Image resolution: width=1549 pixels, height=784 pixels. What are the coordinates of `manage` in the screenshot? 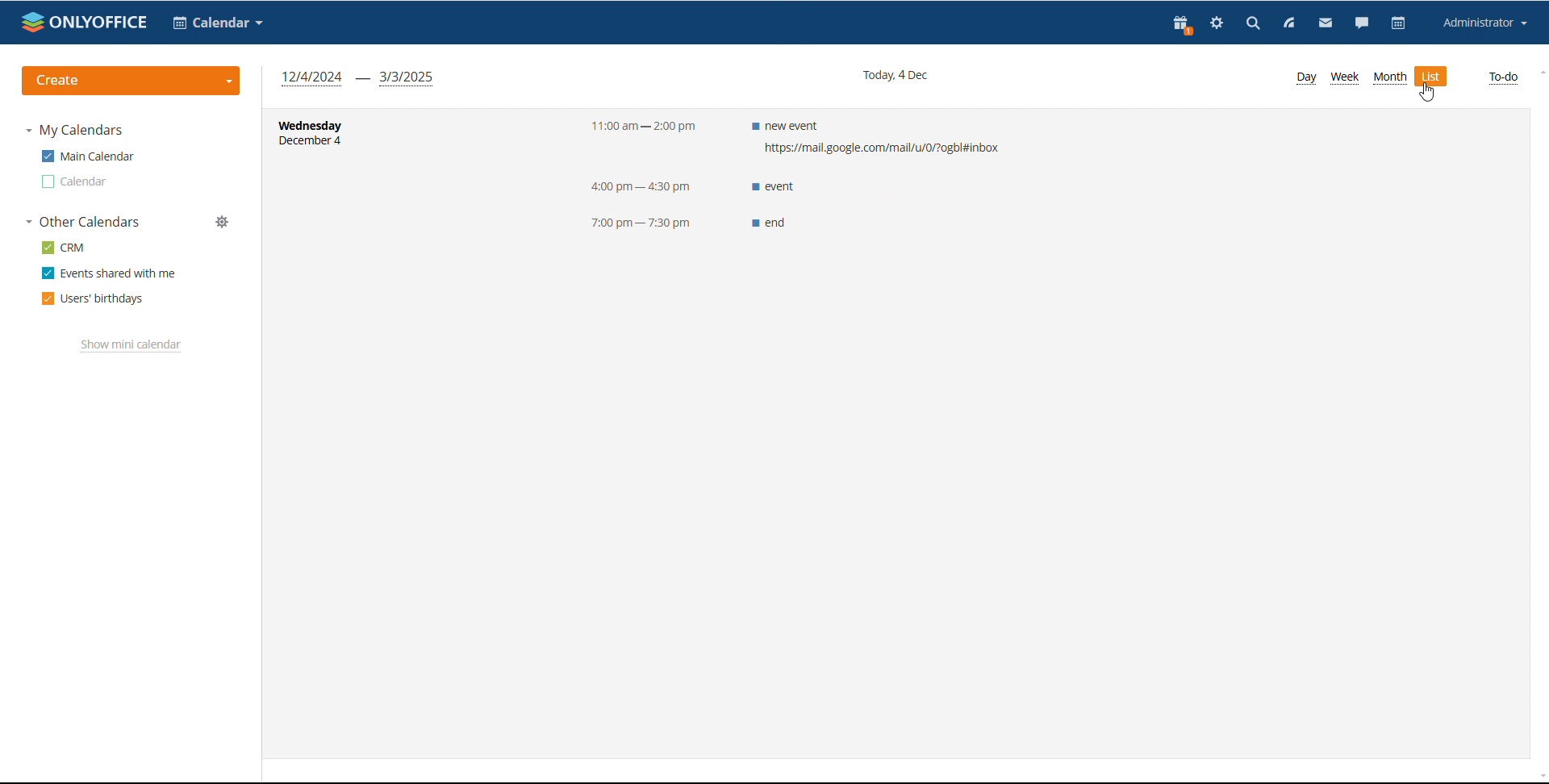 It's located at (223, 223).